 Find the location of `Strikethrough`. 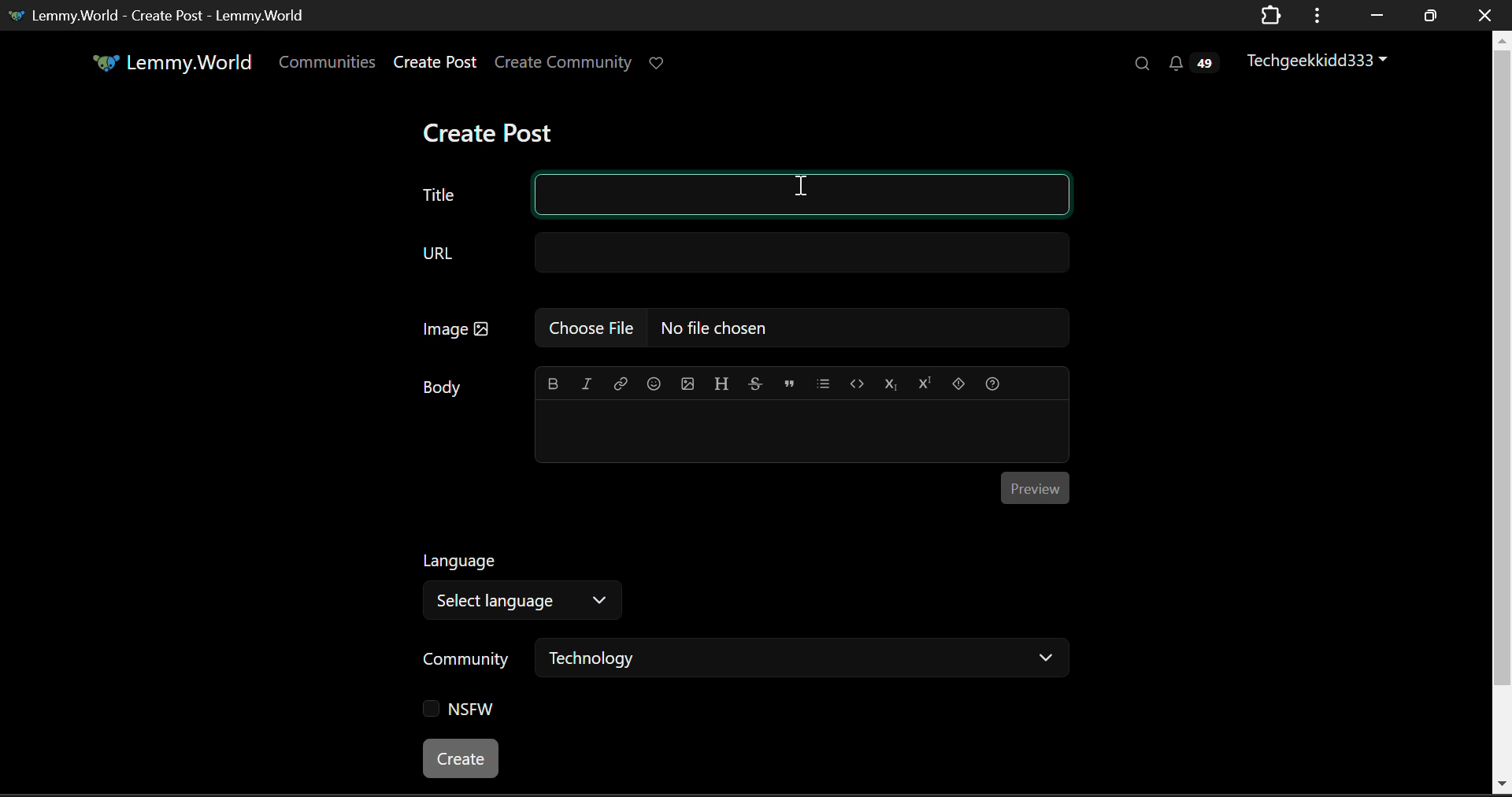

Strikethrough is located at coordinates (755, 385).